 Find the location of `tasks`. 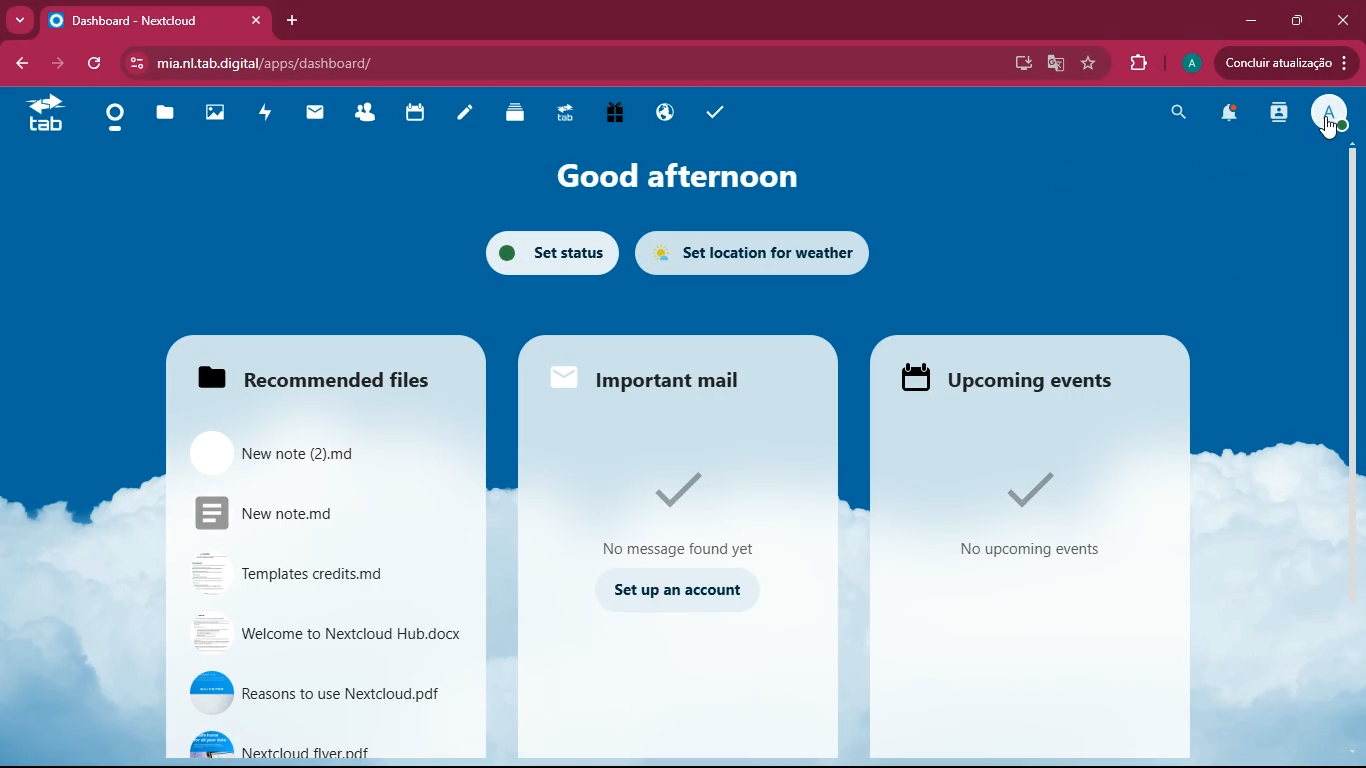

tasks is located at coordinates (715, 110).